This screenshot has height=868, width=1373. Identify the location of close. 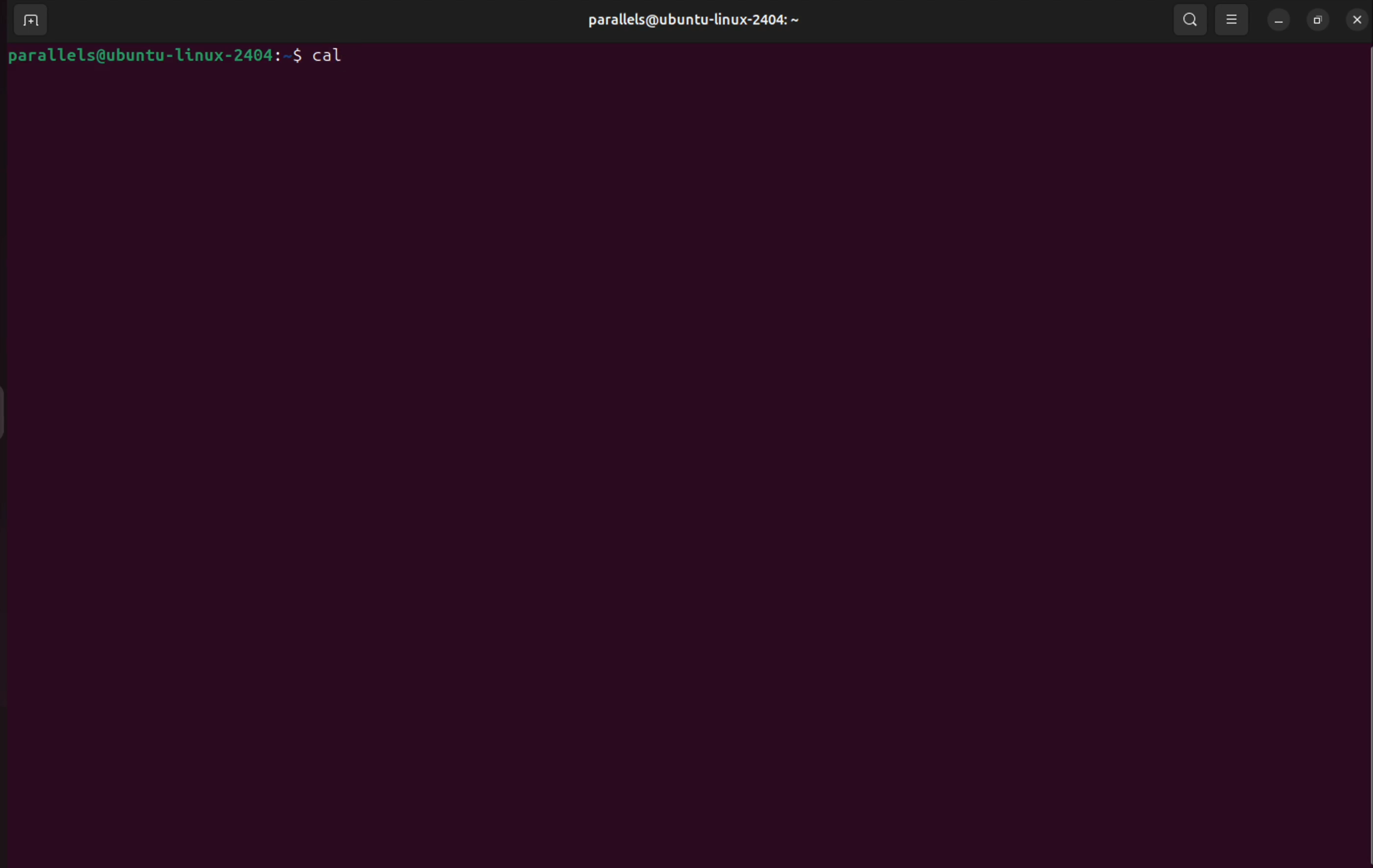
(1357, 21).